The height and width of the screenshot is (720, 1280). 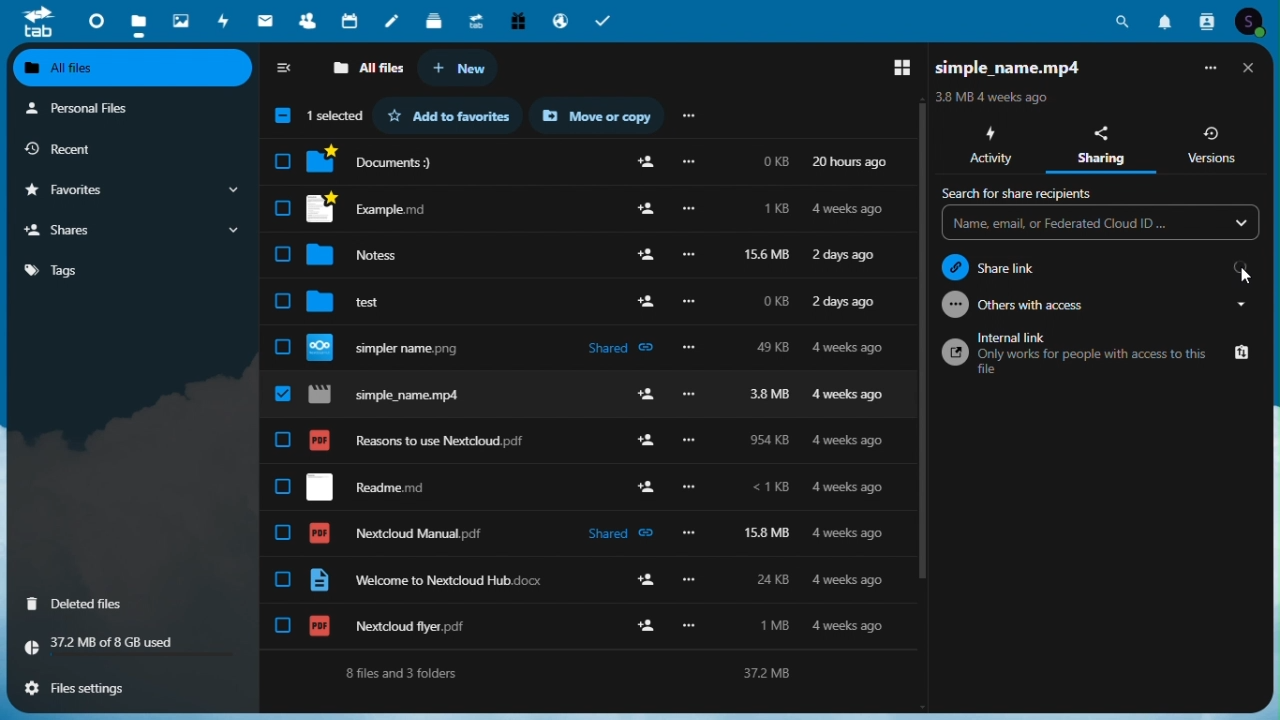 I want to click on Photos, so click(x=182, y=17).